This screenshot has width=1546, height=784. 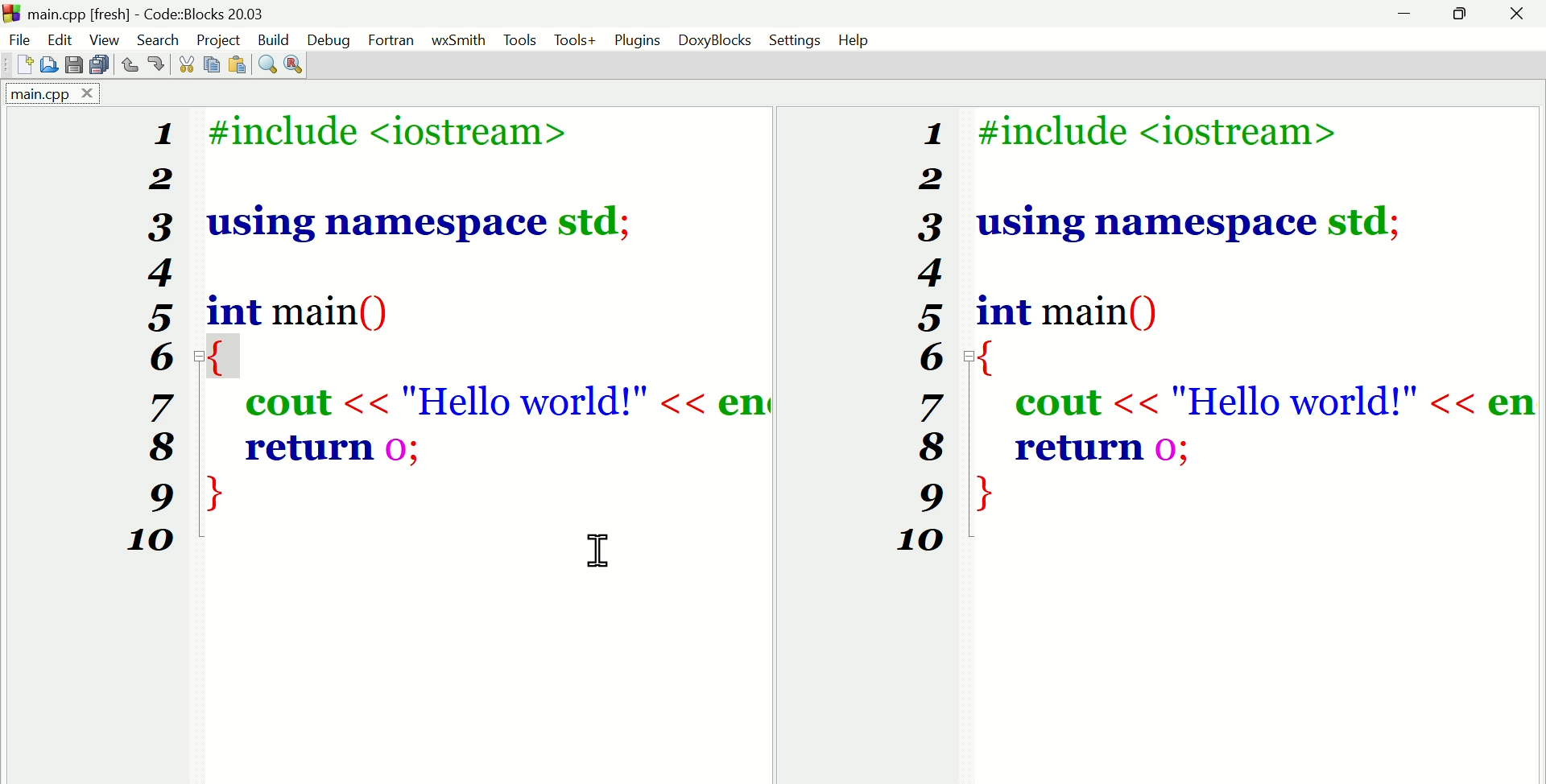 What do you see at coordinates (130, 66) in the screenshot?
I see `Undo` at bounding box center [130, 66].